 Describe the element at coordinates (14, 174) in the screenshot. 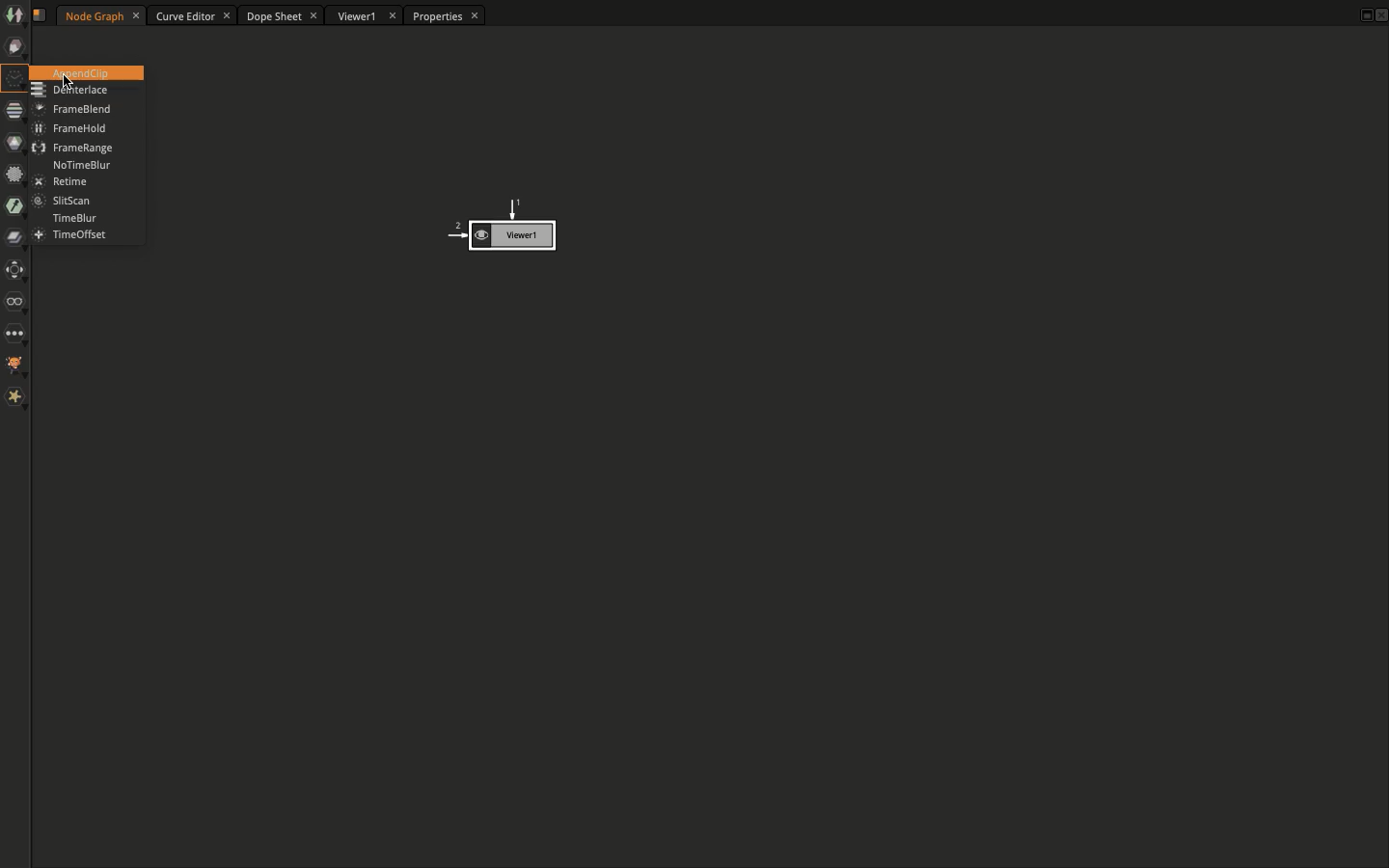

I see `Filter` at that location.